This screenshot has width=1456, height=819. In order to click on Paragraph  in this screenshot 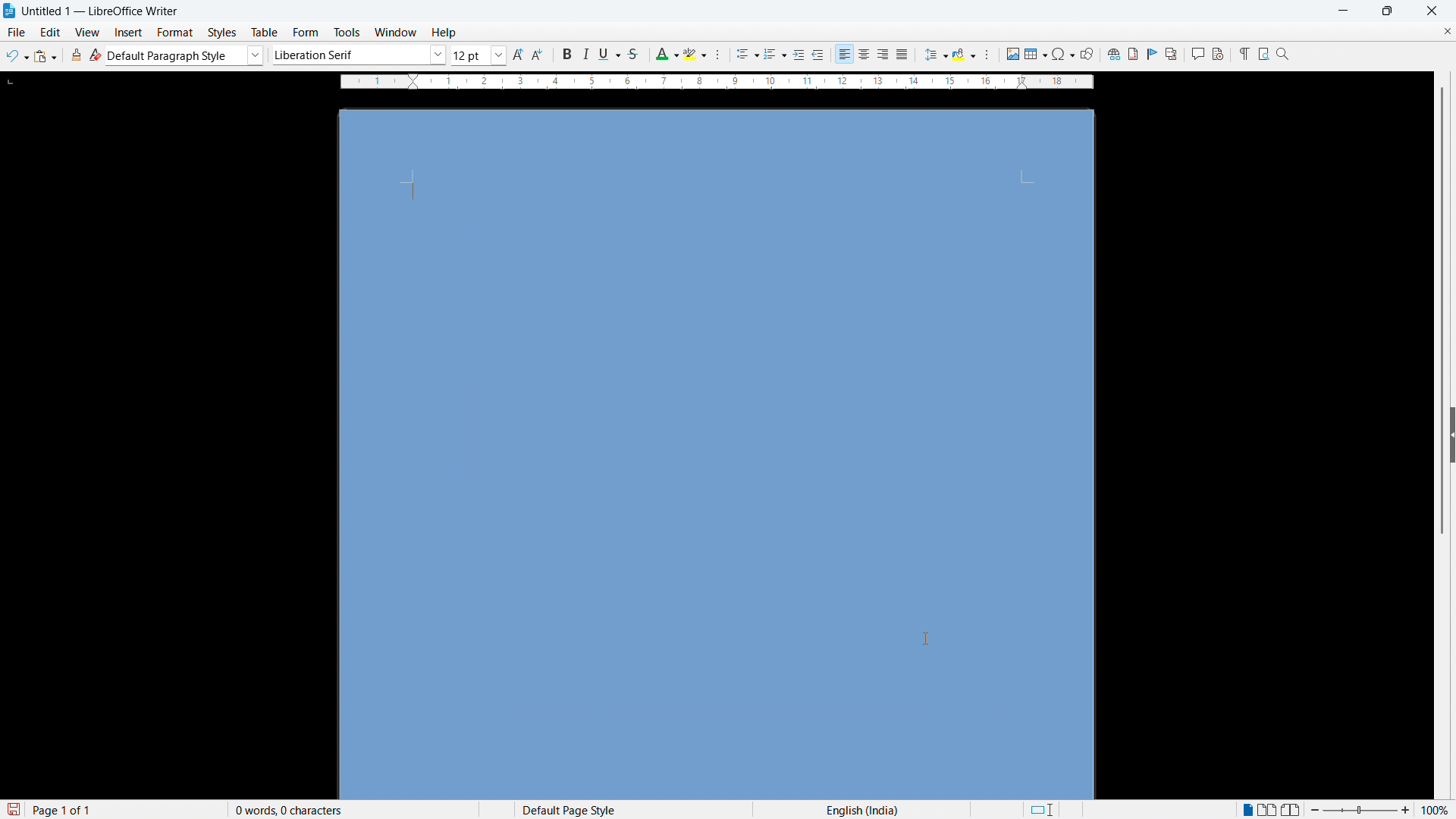, I will do `click(986, 55)`.